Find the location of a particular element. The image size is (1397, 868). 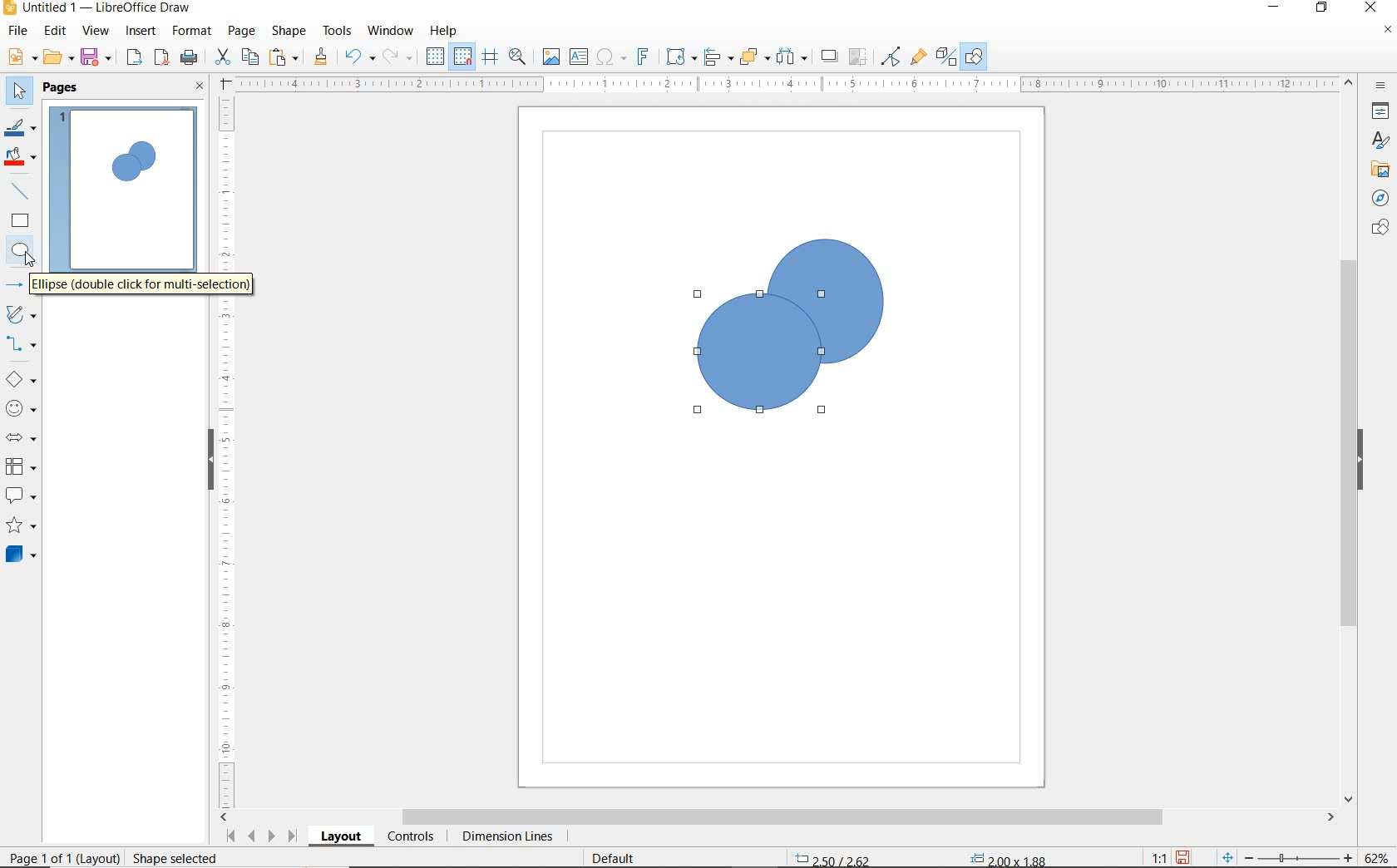

SCROLL NEXT is located at coordinates (259, 836).